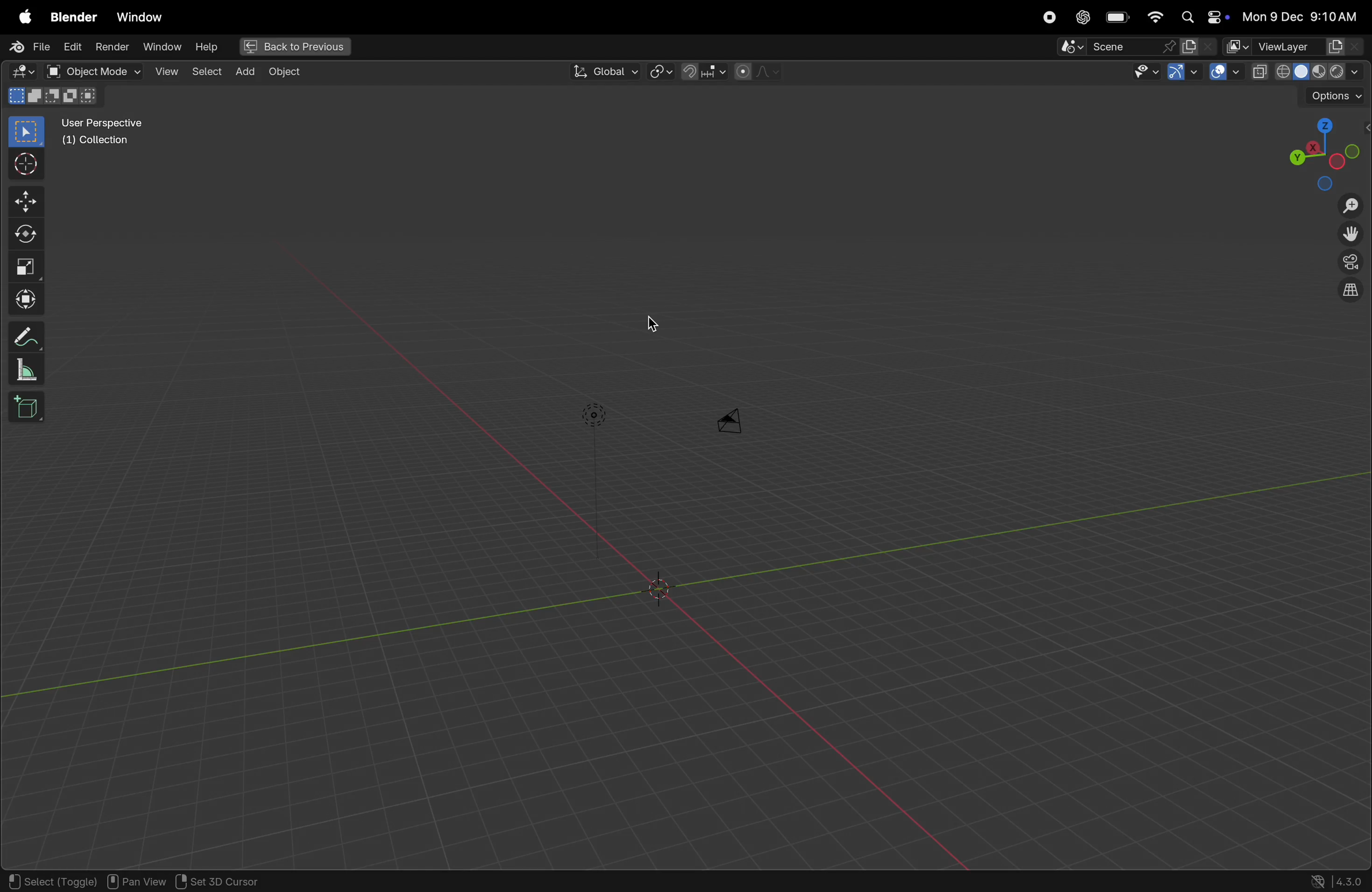 The image size is (1372, 892). What do you see at coordinates (662, 589) in the screenshot?
I see `centre` at bounding box center [662, 589].